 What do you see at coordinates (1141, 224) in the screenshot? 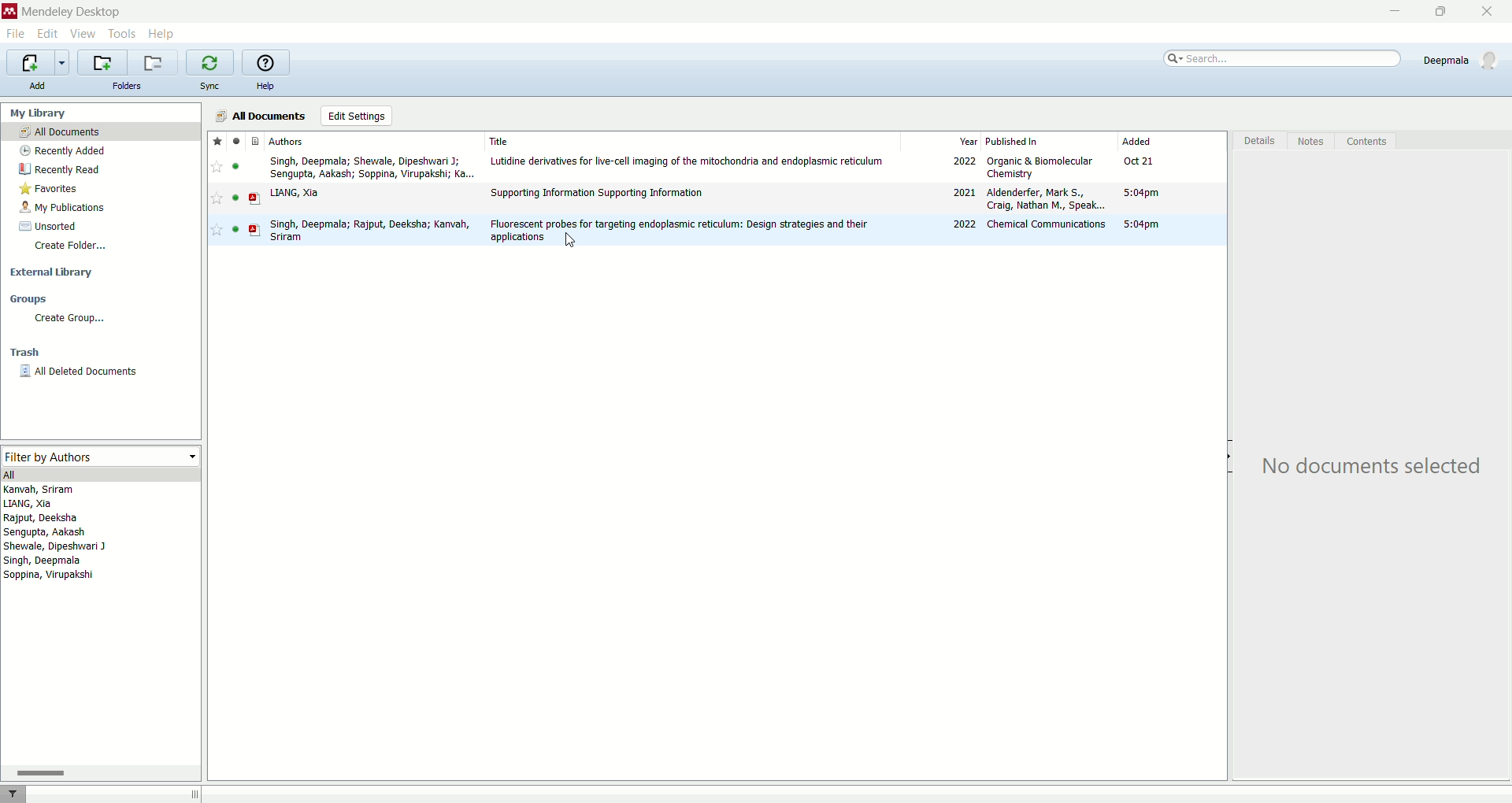
I see `5:04pm` at bounding box center [1141, 224].